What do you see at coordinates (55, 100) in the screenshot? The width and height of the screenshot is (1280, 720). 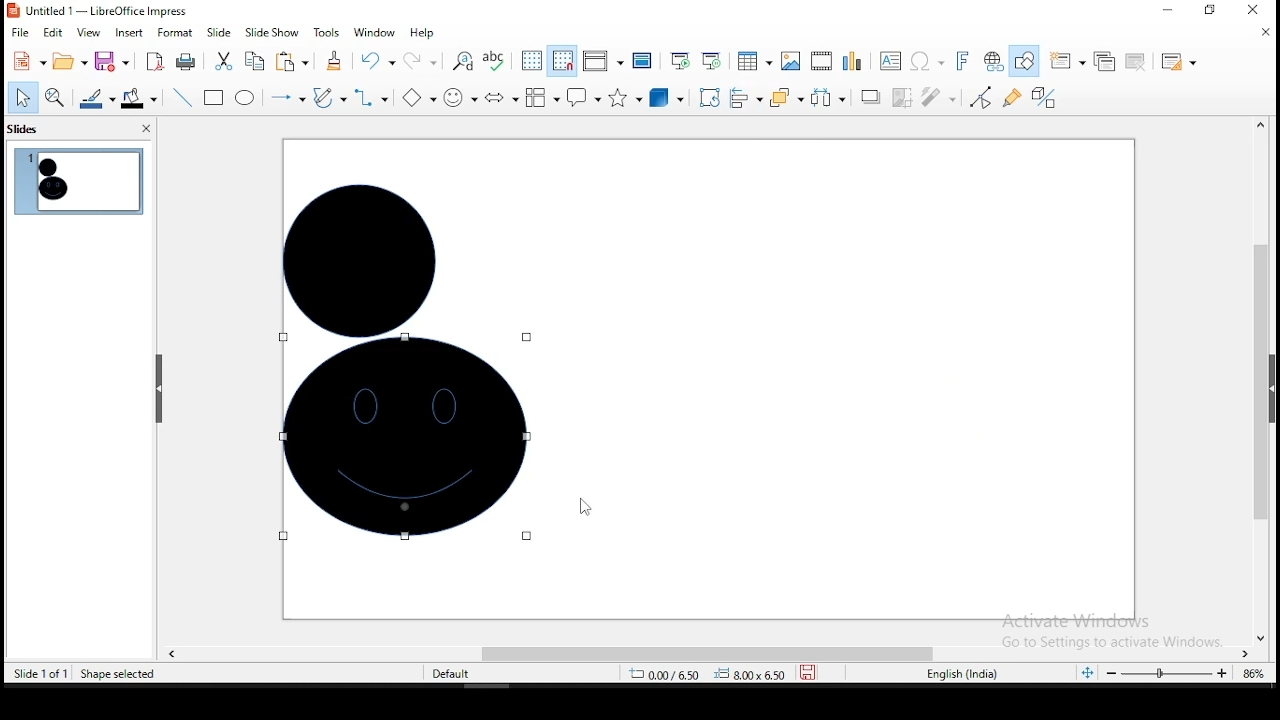 I see `zoom and pan` at bounding box center [55, 100].